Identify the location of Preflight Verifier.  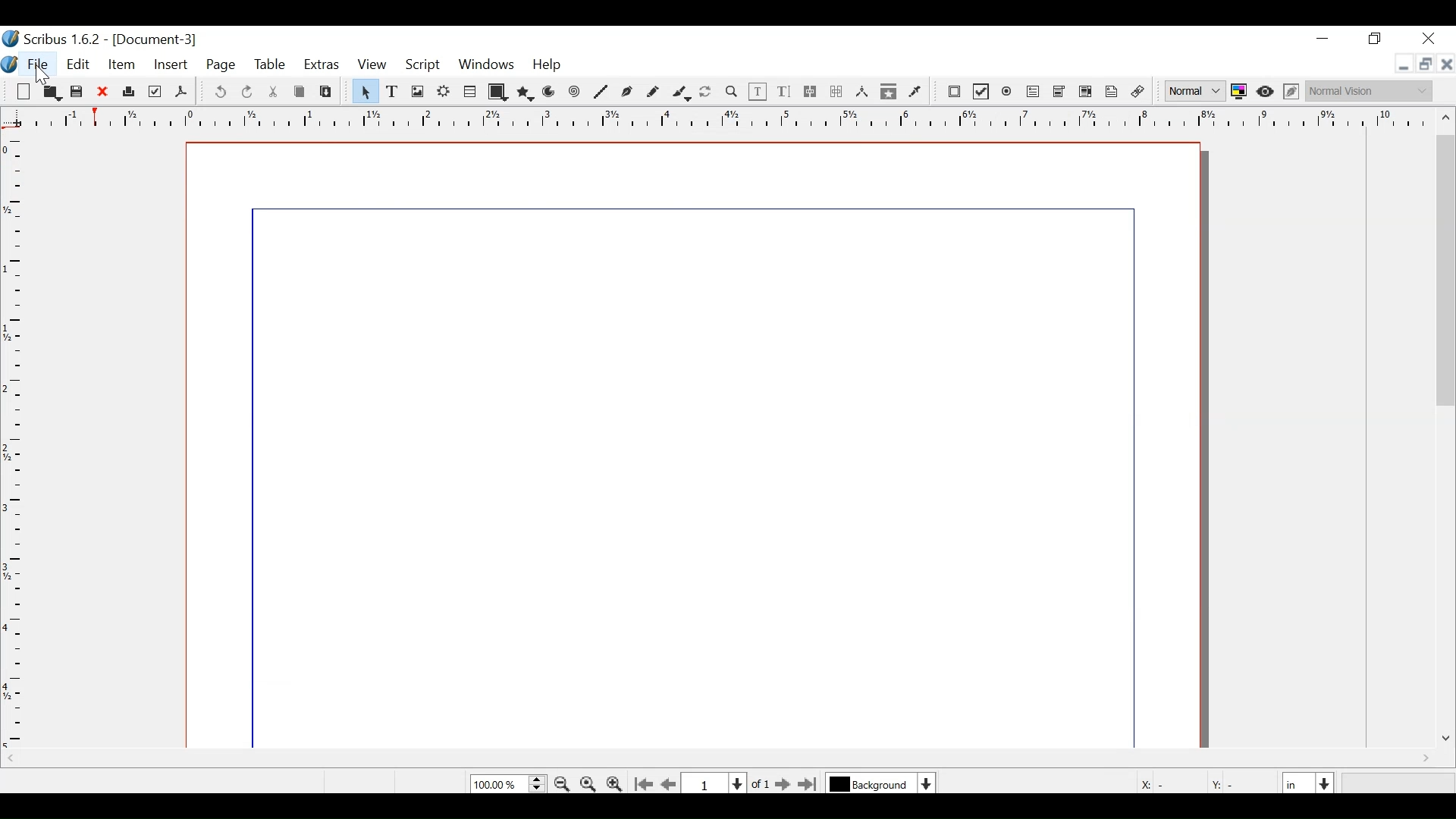
(154, 92).